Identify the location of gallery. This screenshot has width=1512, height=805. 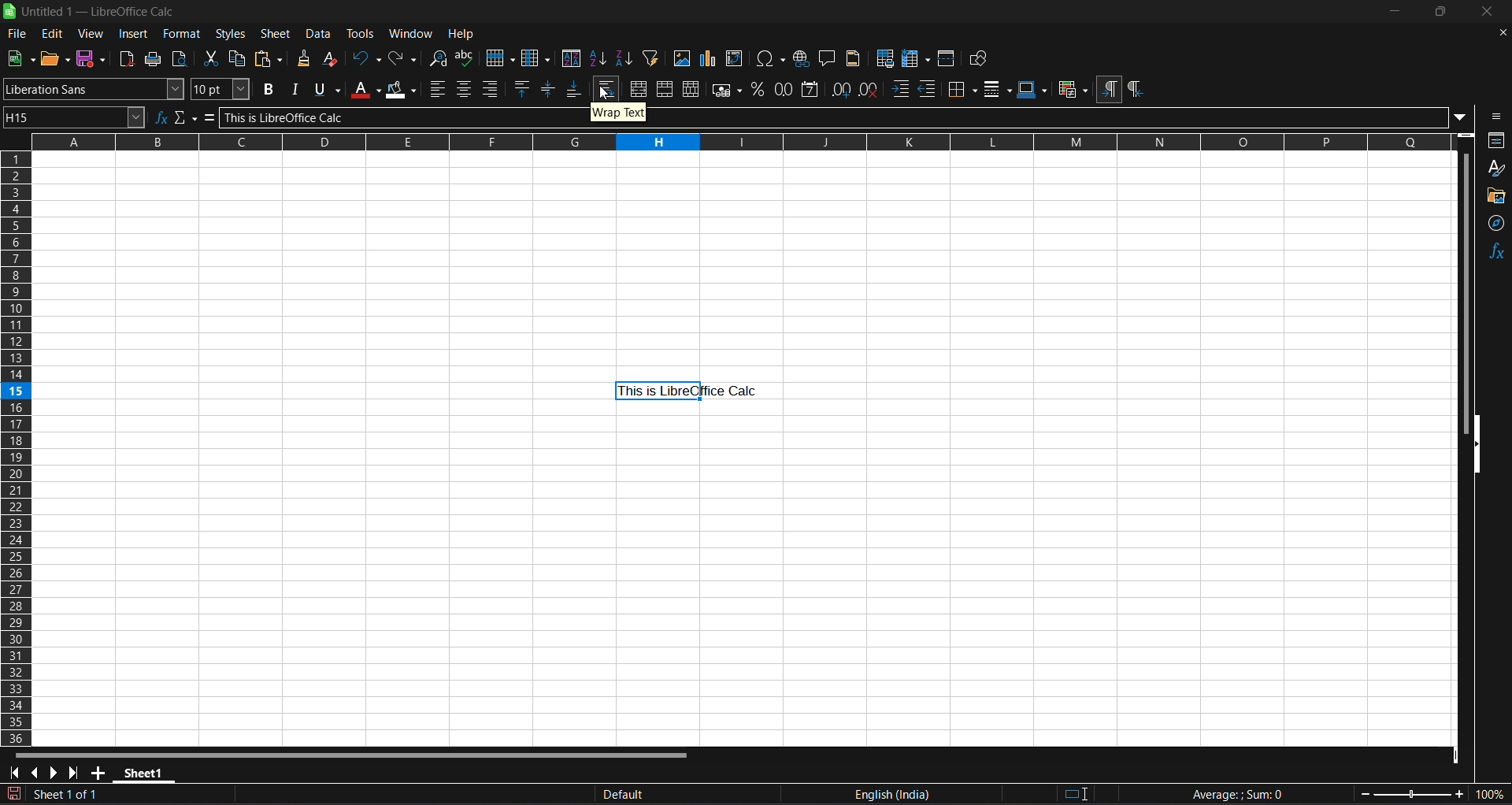
(1495, 195).